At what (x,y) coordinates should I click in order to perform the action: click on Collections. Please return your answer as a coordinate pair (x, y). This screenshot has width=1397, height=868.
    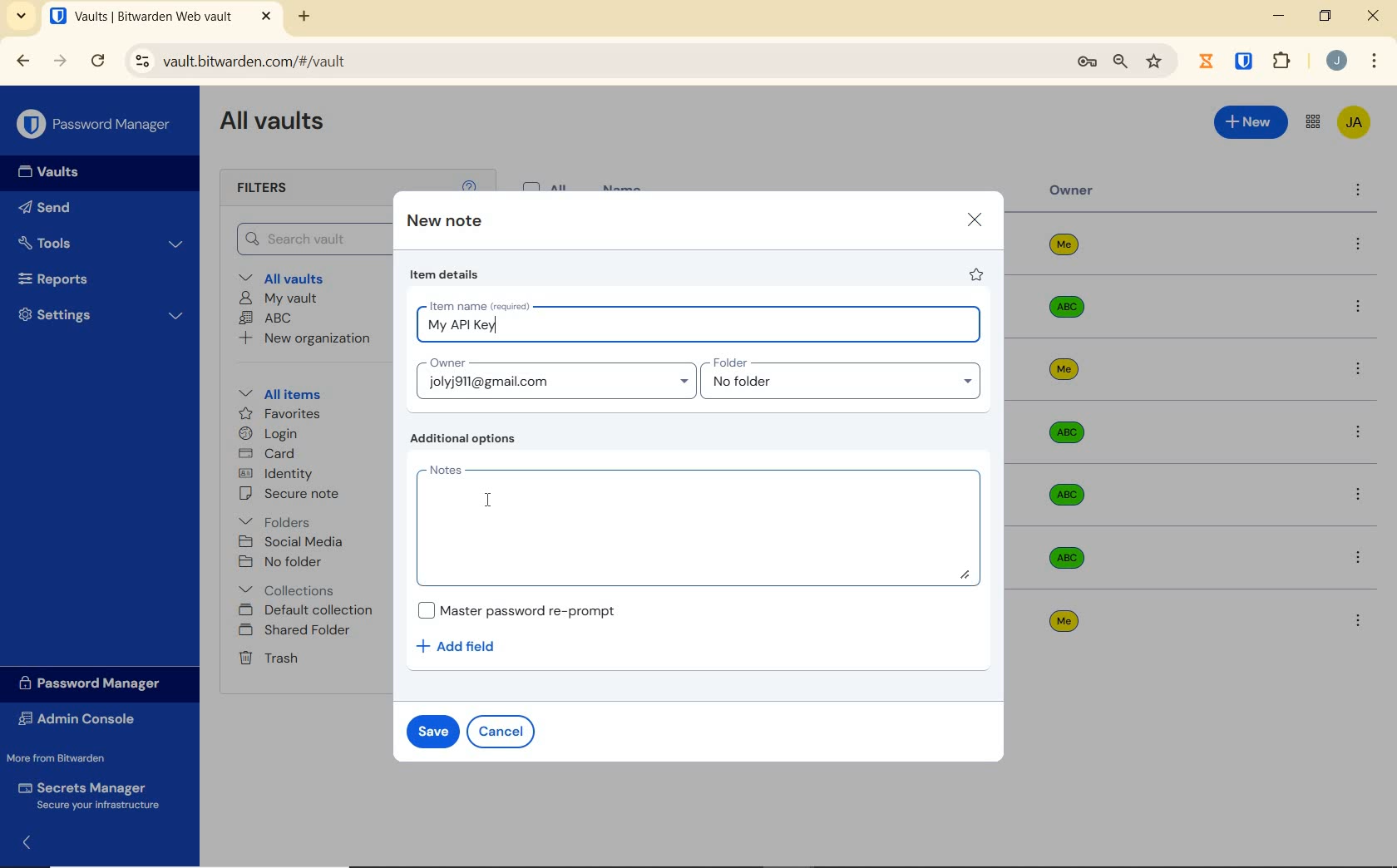
    Looking at the image, I should click on (290, 587).